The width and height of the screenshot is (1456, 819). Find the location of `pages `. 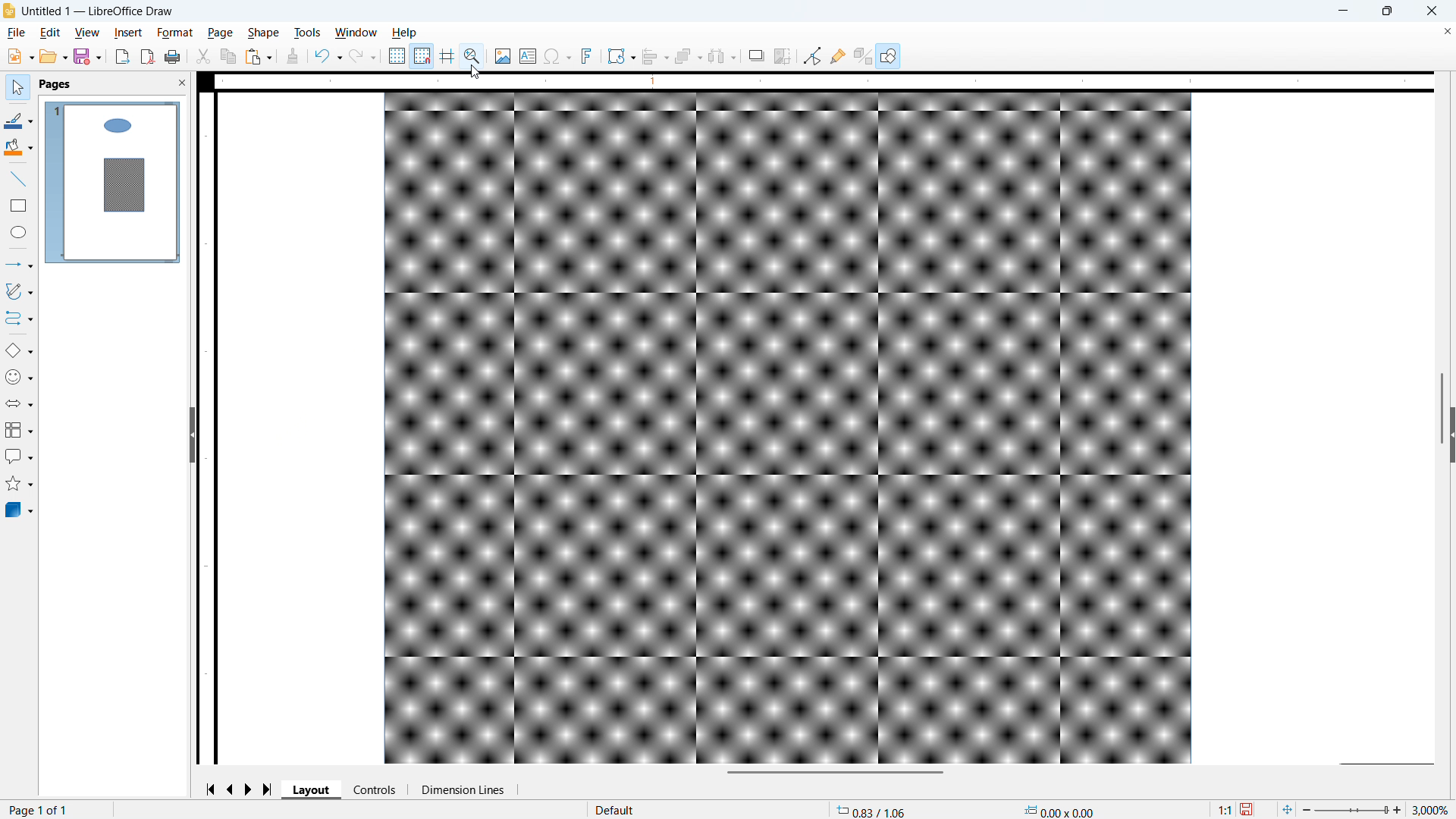

pages  is located at coordinates (56, 85).